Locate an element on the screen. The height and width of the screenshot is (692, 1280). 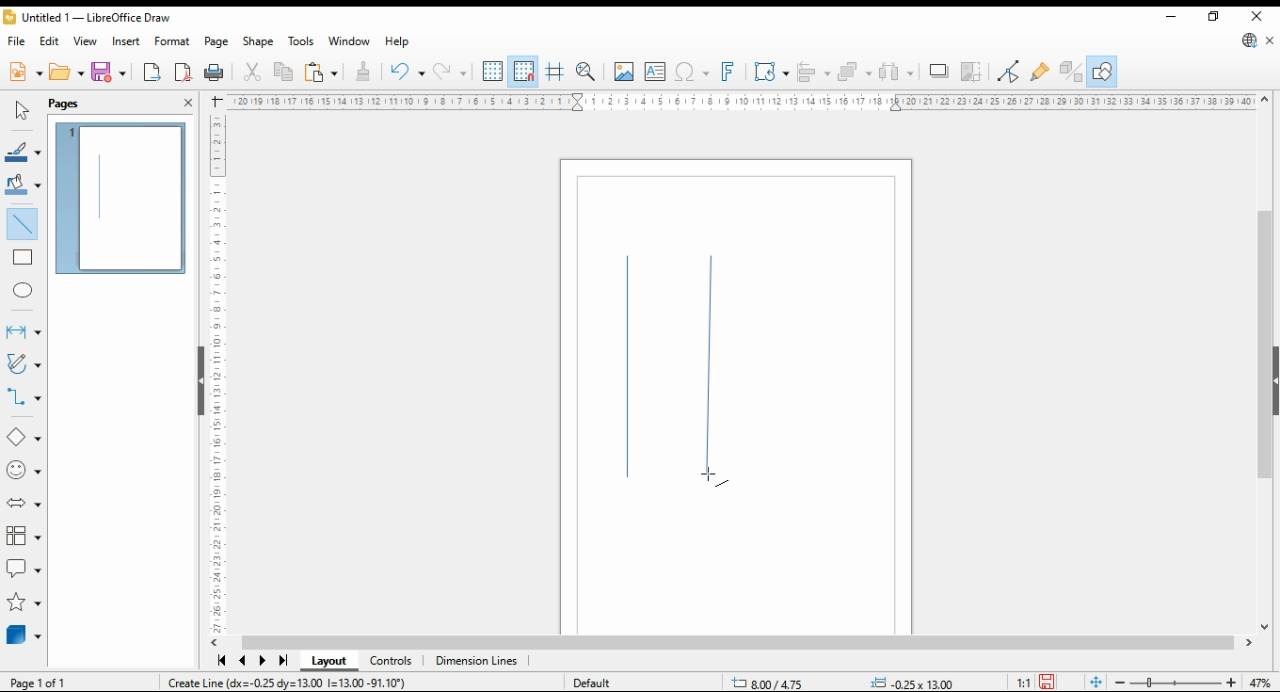
controls is located at coordinates (393, 663).